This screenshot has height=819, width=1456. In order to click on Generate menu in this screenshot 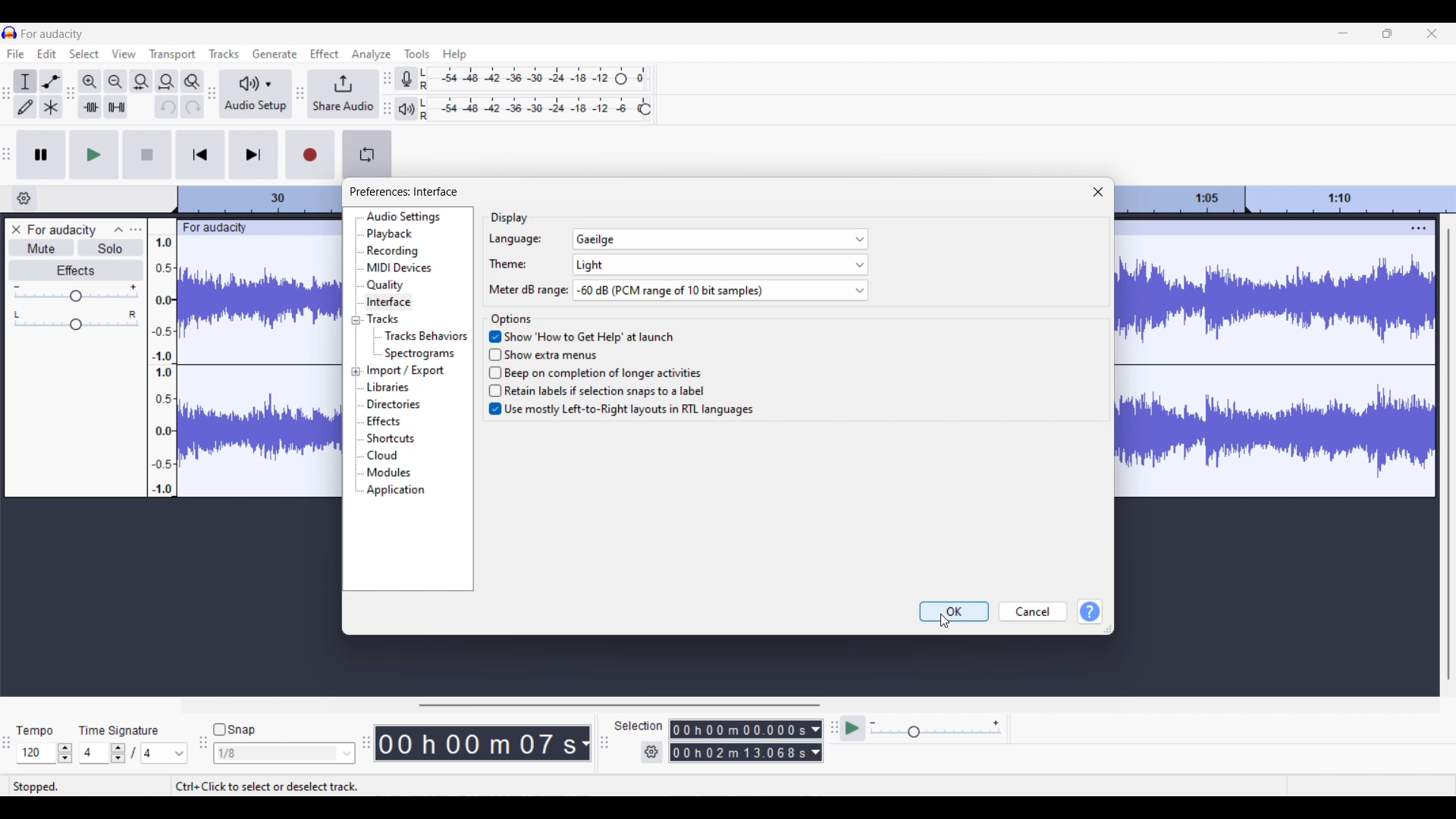, I will do `click(275, 54)`.